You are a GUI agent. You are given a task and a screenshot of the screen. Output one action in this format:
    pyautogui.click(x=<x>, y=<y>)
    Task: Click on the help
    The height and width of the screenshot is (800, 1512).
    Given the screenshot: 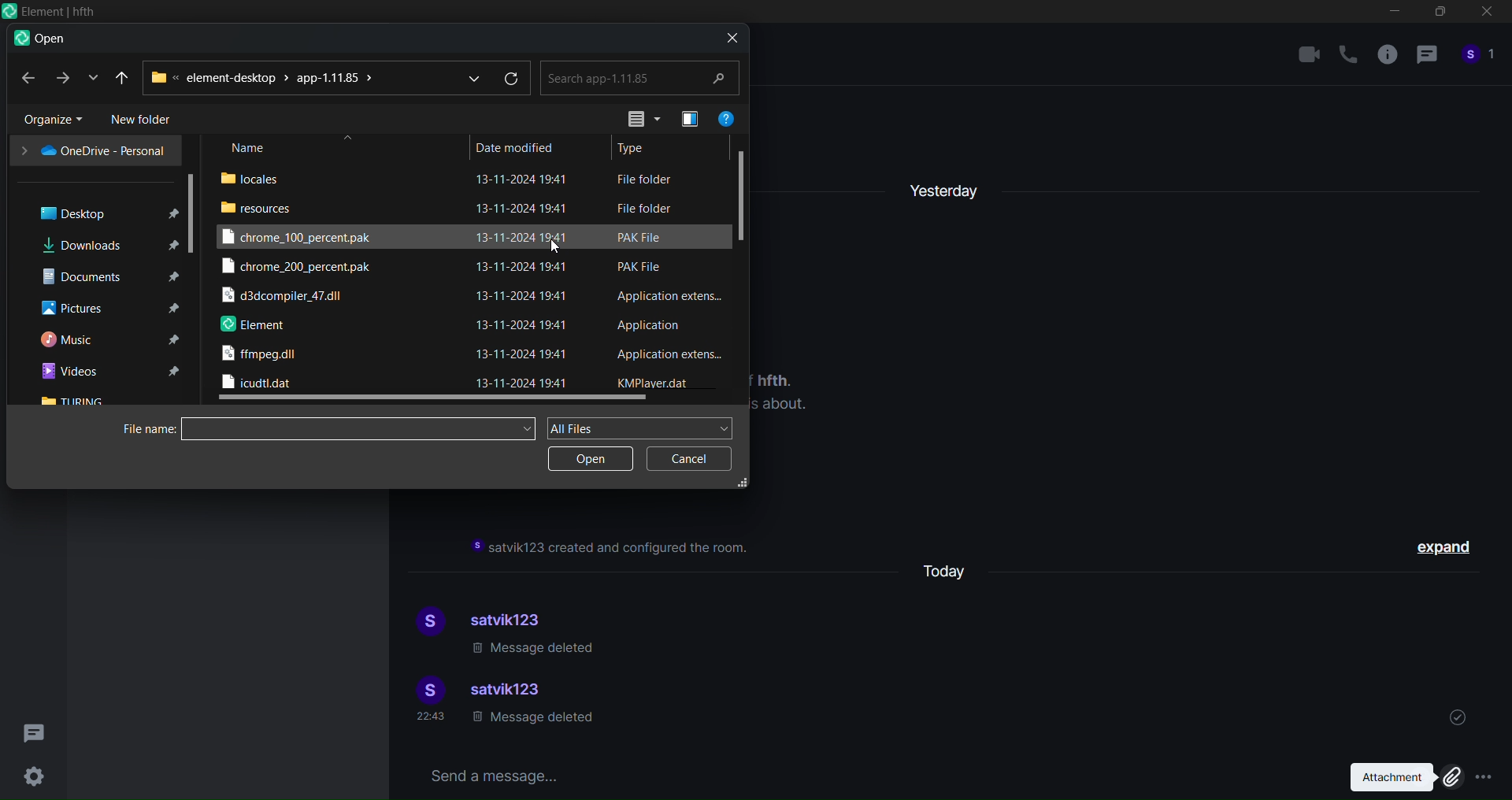 What is the action you would take?
    pyautogui.click(x=727, y=116)
    